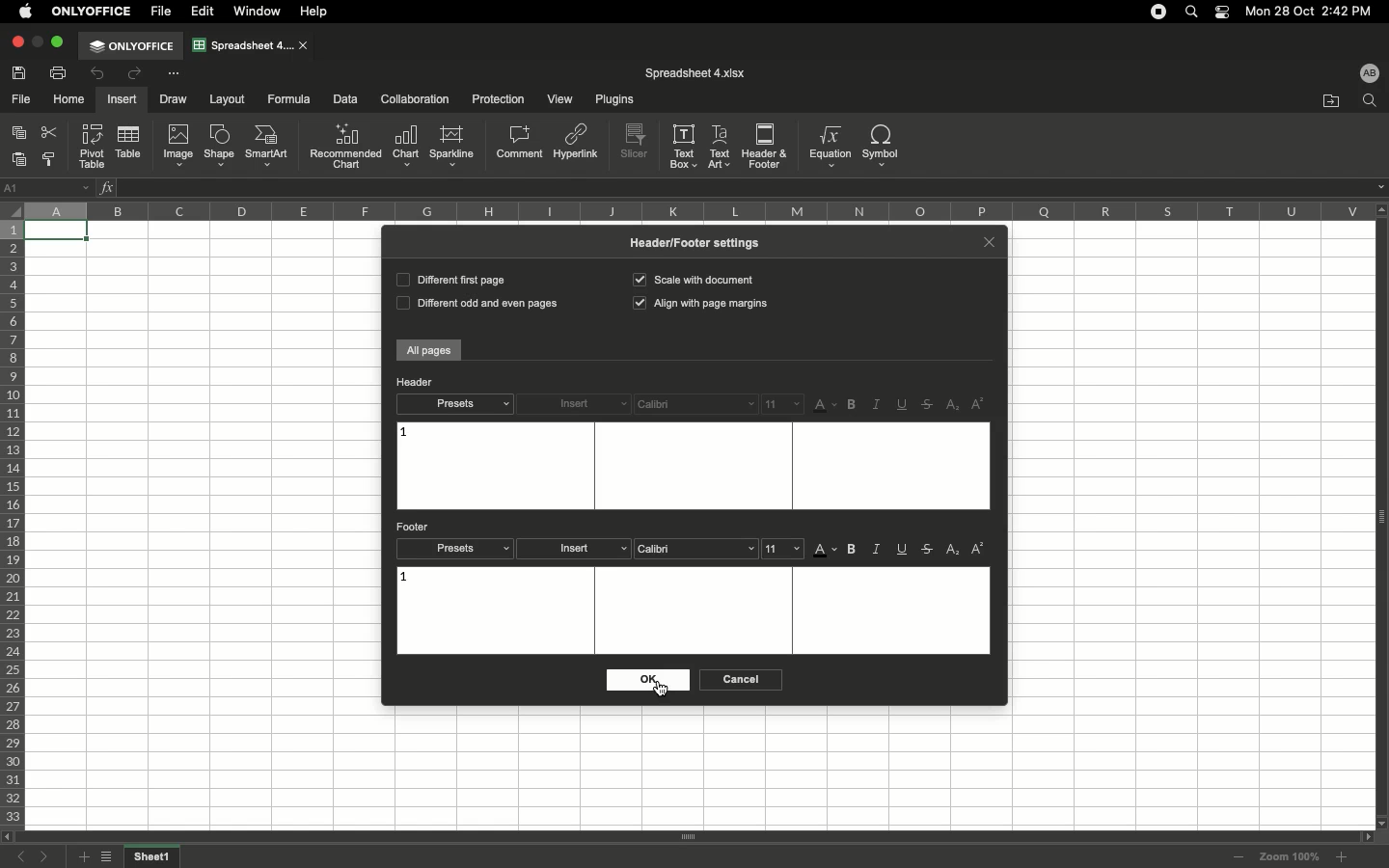 The width and height of the screenshot is (1389, 868). I want to click on Subscript, so click(954, 406).